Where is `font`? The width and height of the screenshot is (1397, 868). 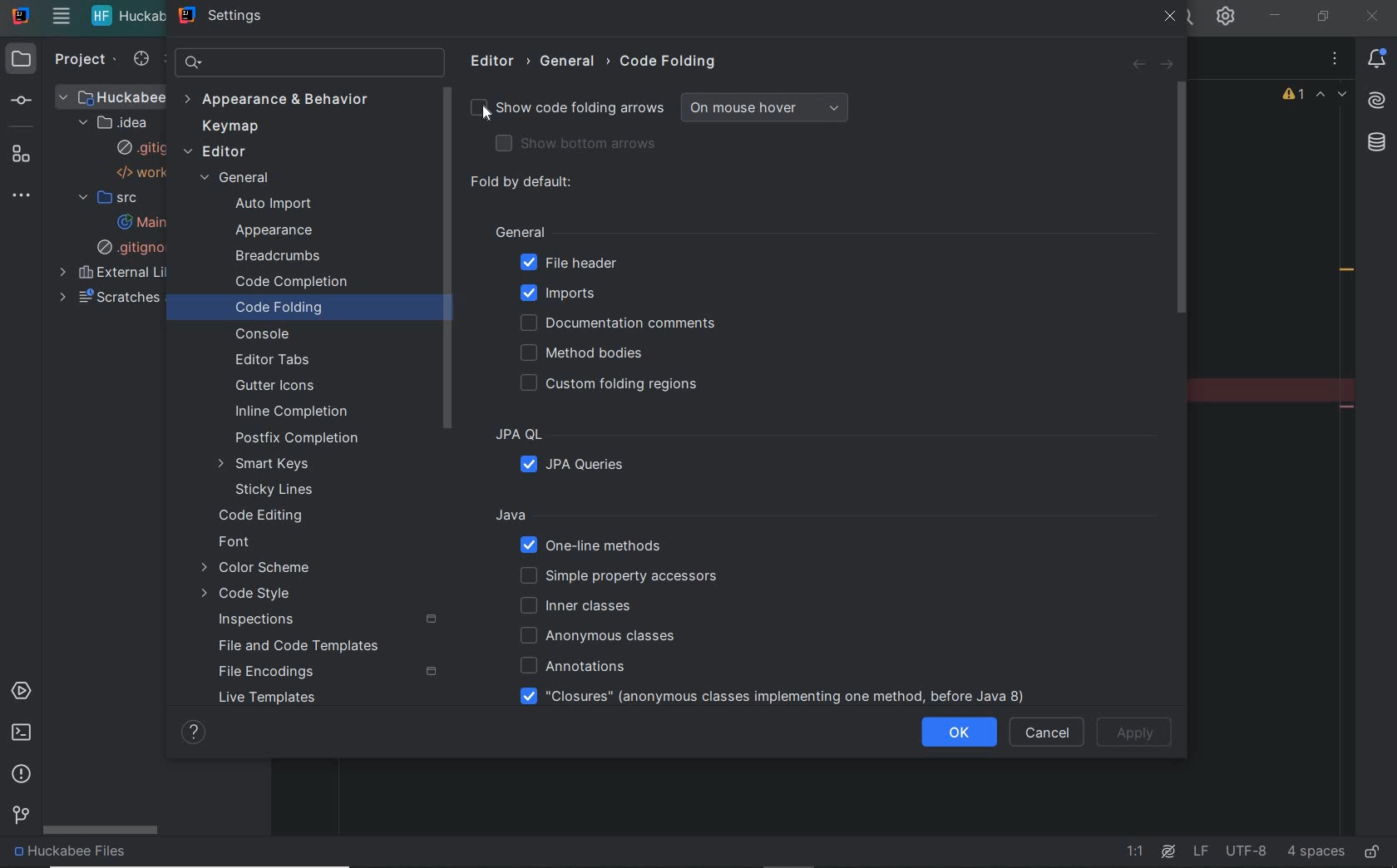
font is located at coordinates (234, 542).